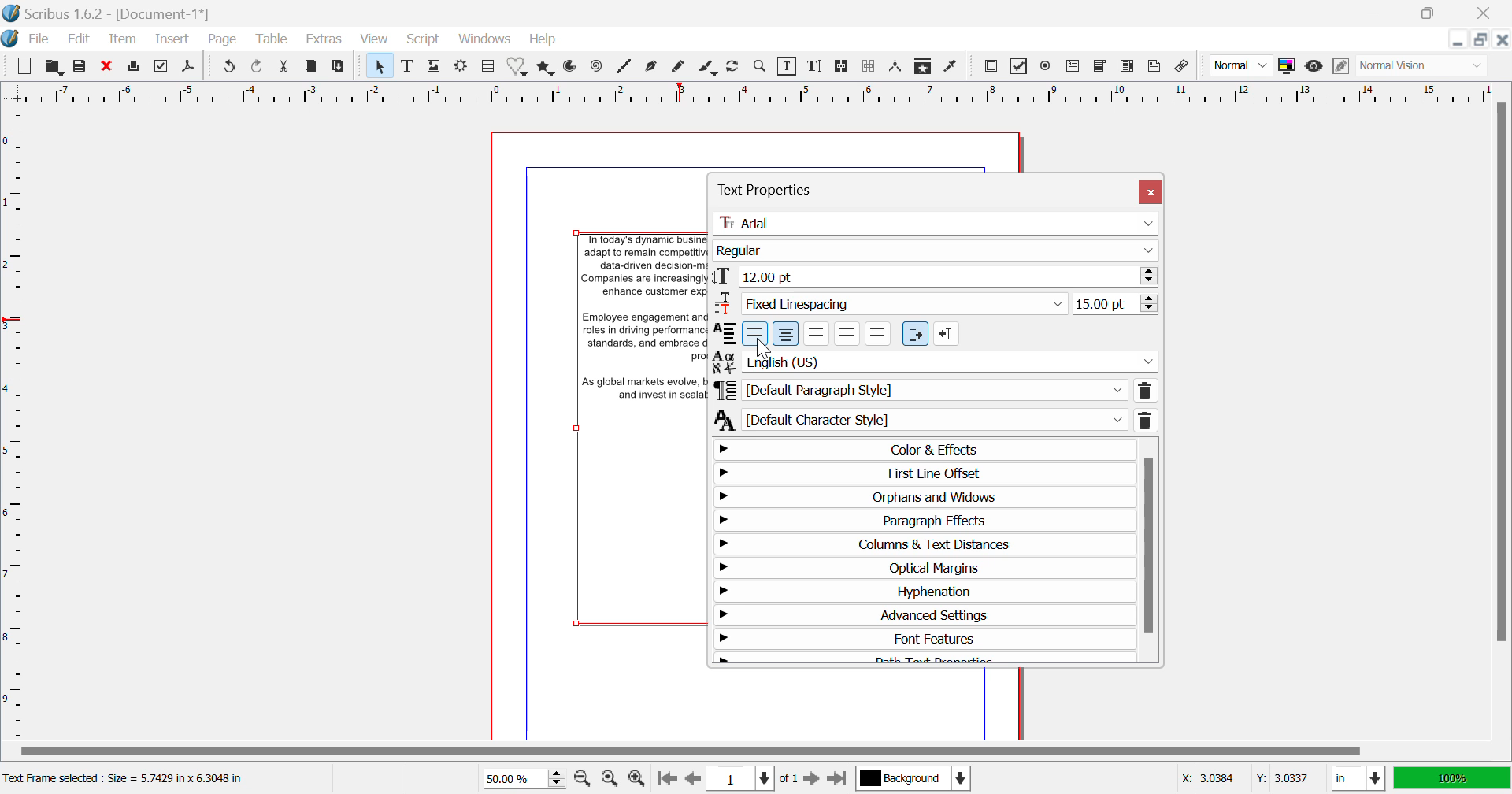 This screenshot has height=794, width=1512. I want to click on Right Align, so click(817, 334).